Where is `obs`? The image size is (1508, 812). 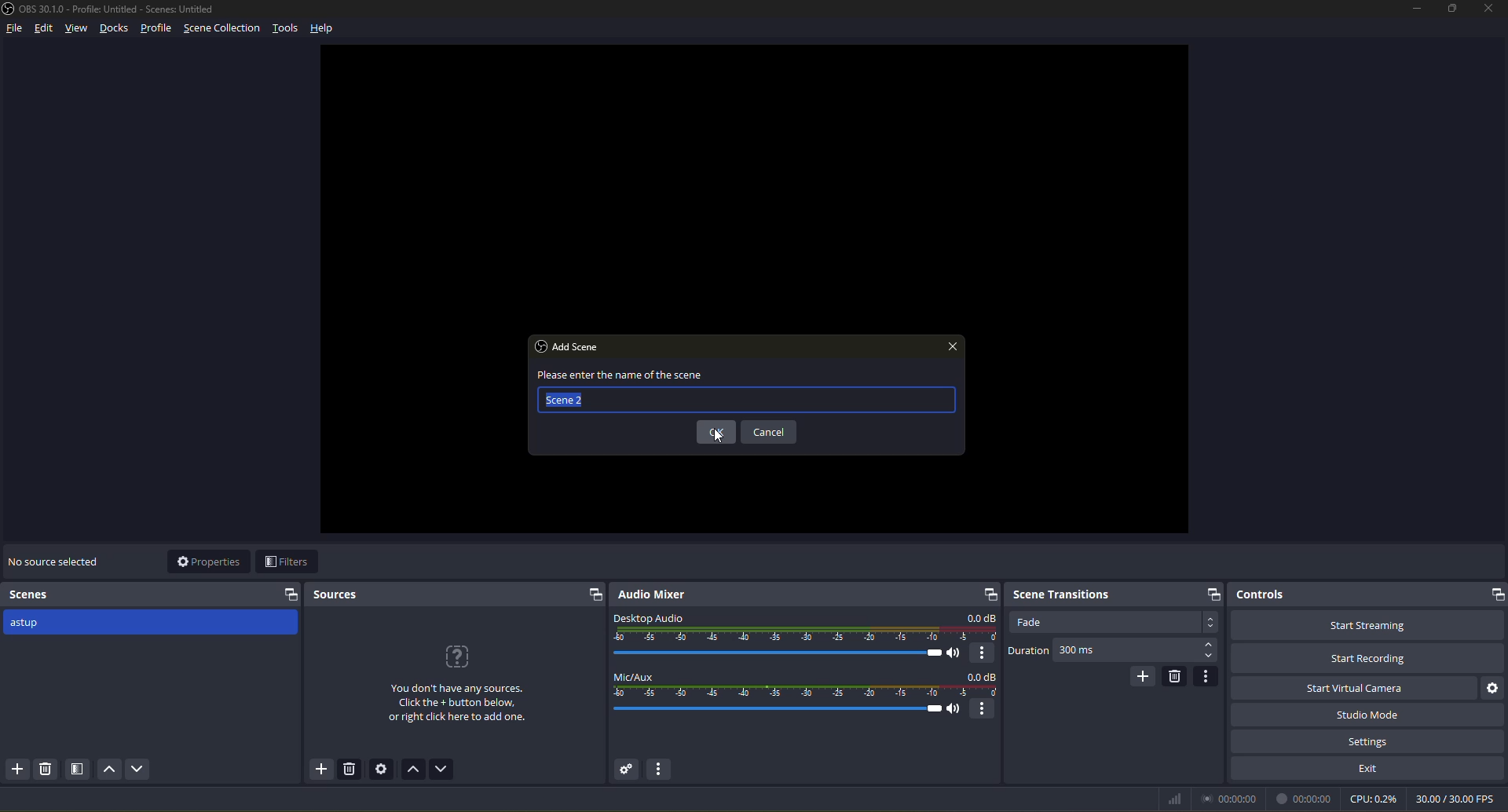
obs is located at coordinates (540, 346).